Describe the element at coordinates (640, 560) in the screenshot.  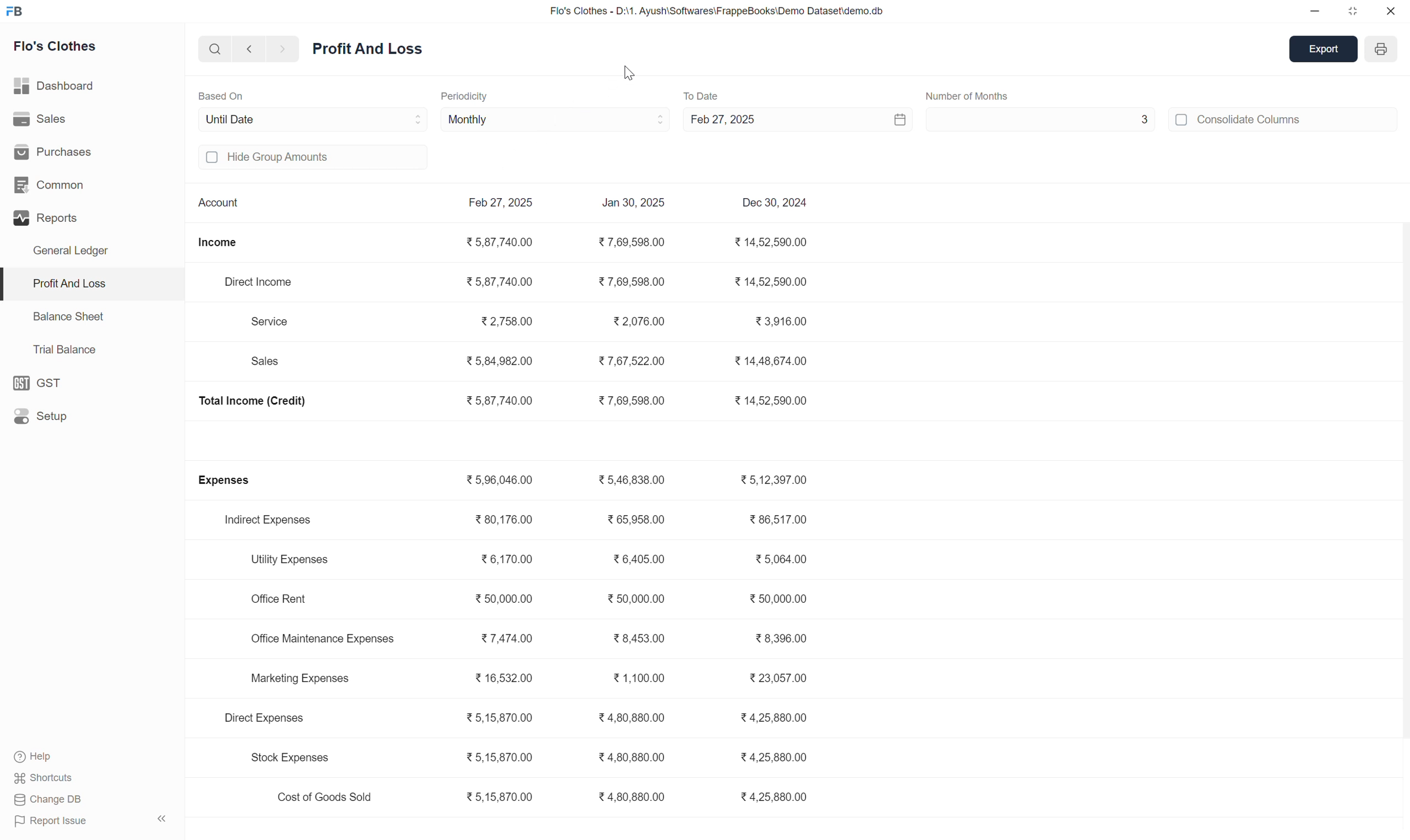
I see `₹6,405.00` at that location.